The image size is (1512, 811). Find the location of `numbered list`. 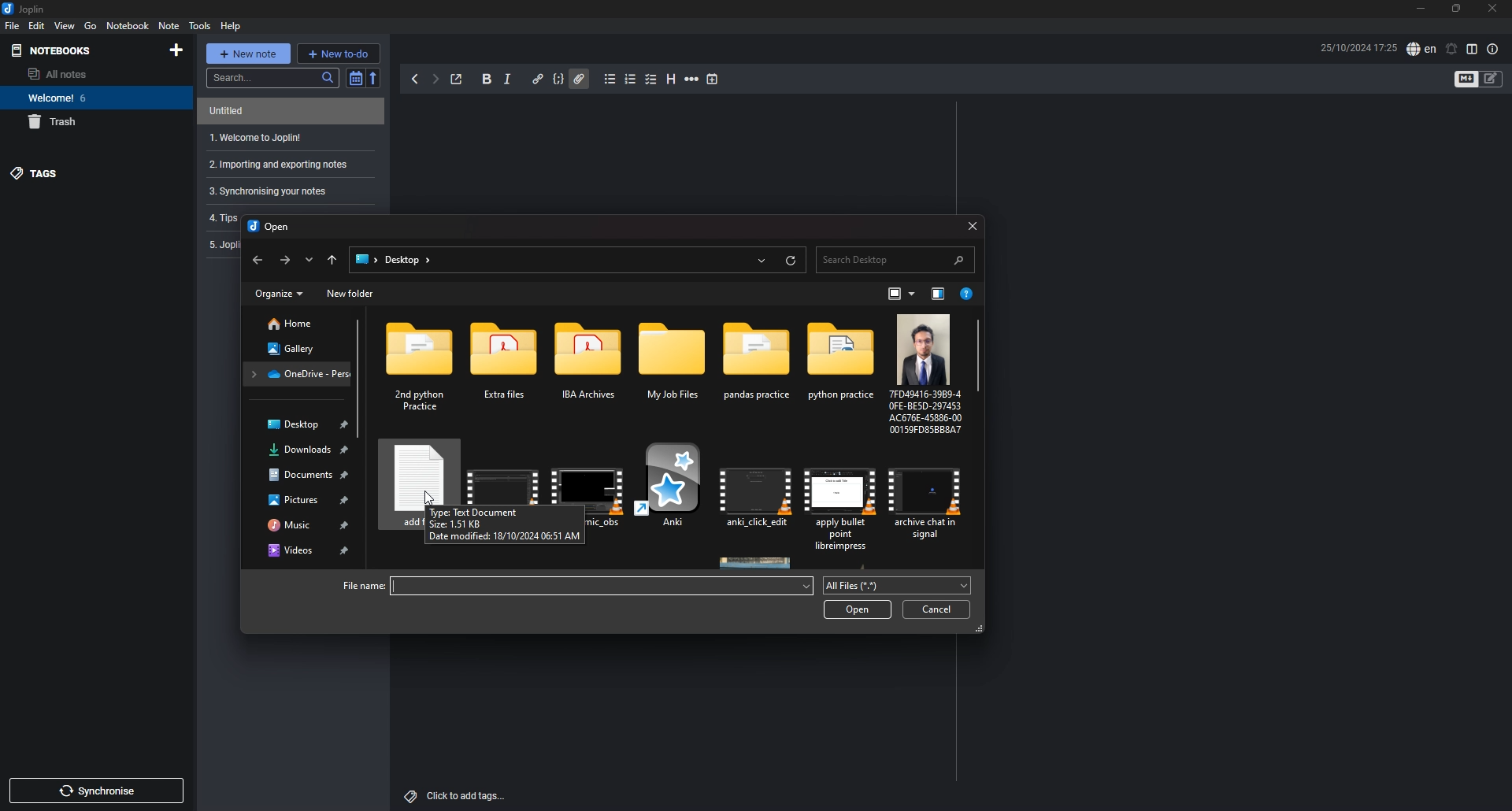

numbered list is located at coordinates (631, 79).